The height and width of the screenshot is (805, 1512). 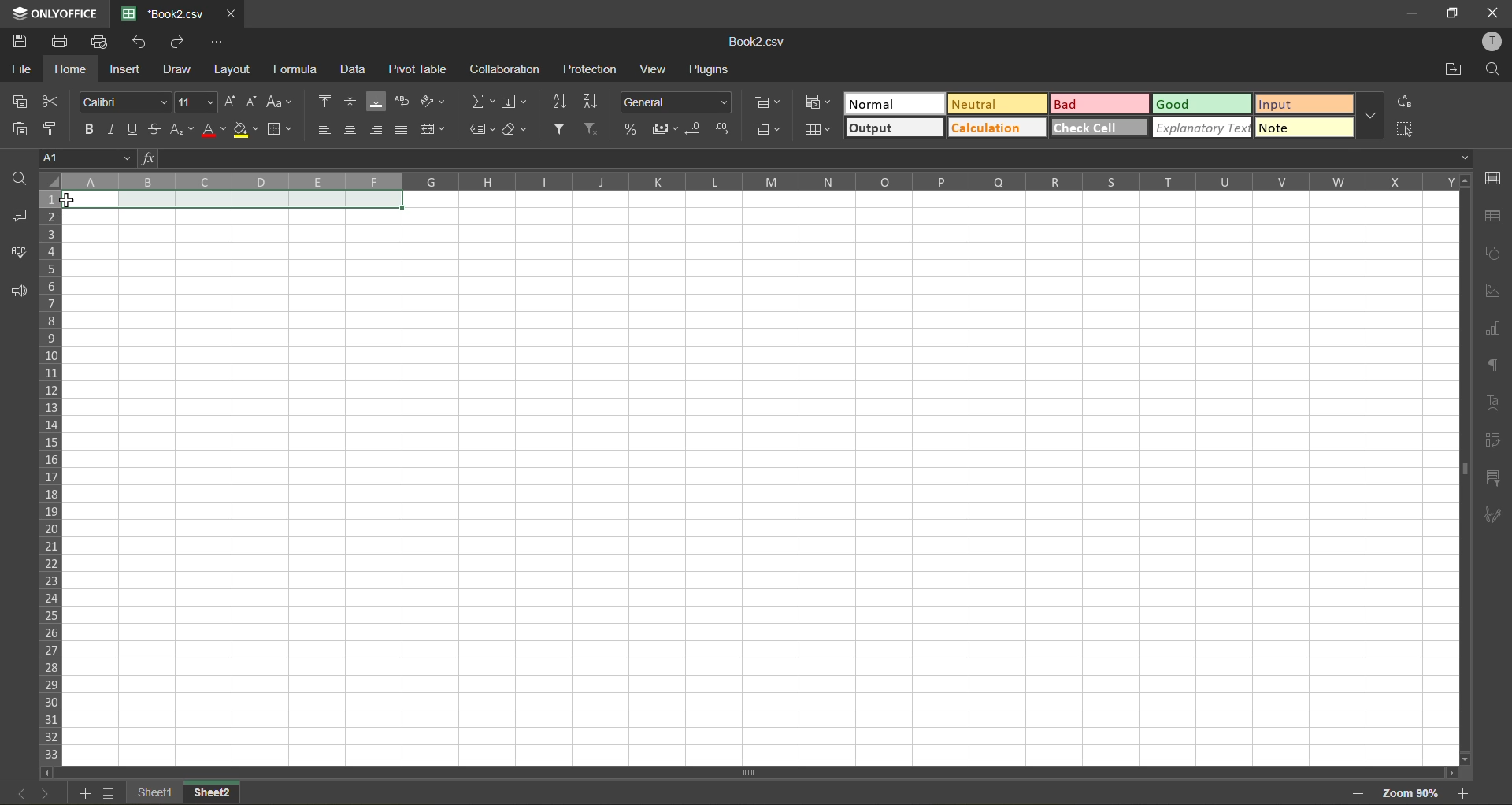 What do you see at coordinates (591, 69) in the screenshot?
I see `protection` at bounding box center [591, 69].